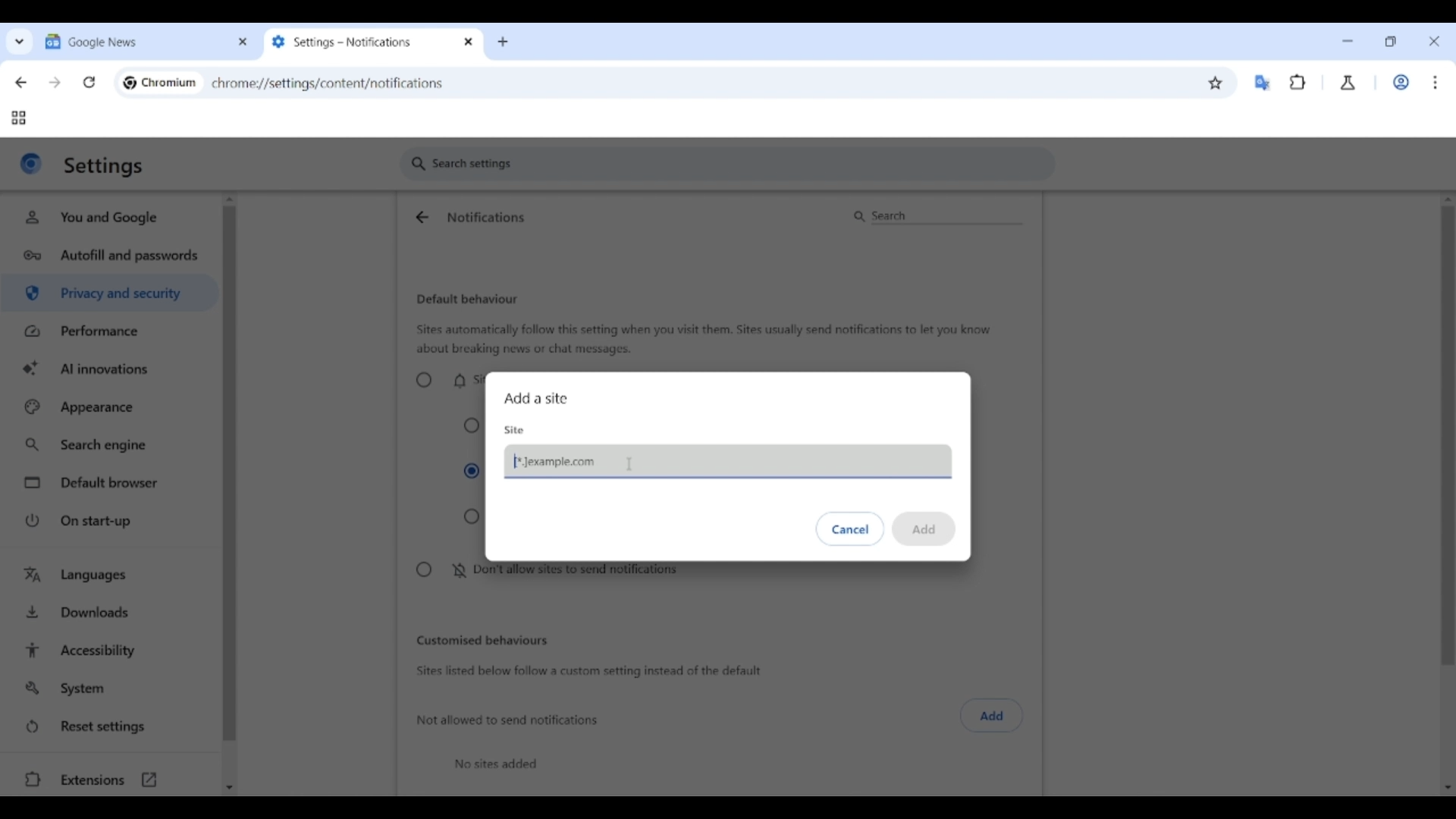 The height and width of the screenshot is (819, 1456). What do you see at coordinates (55, 83) in the screenshot?
I see `Go forward` at bounding box center [55, 83].